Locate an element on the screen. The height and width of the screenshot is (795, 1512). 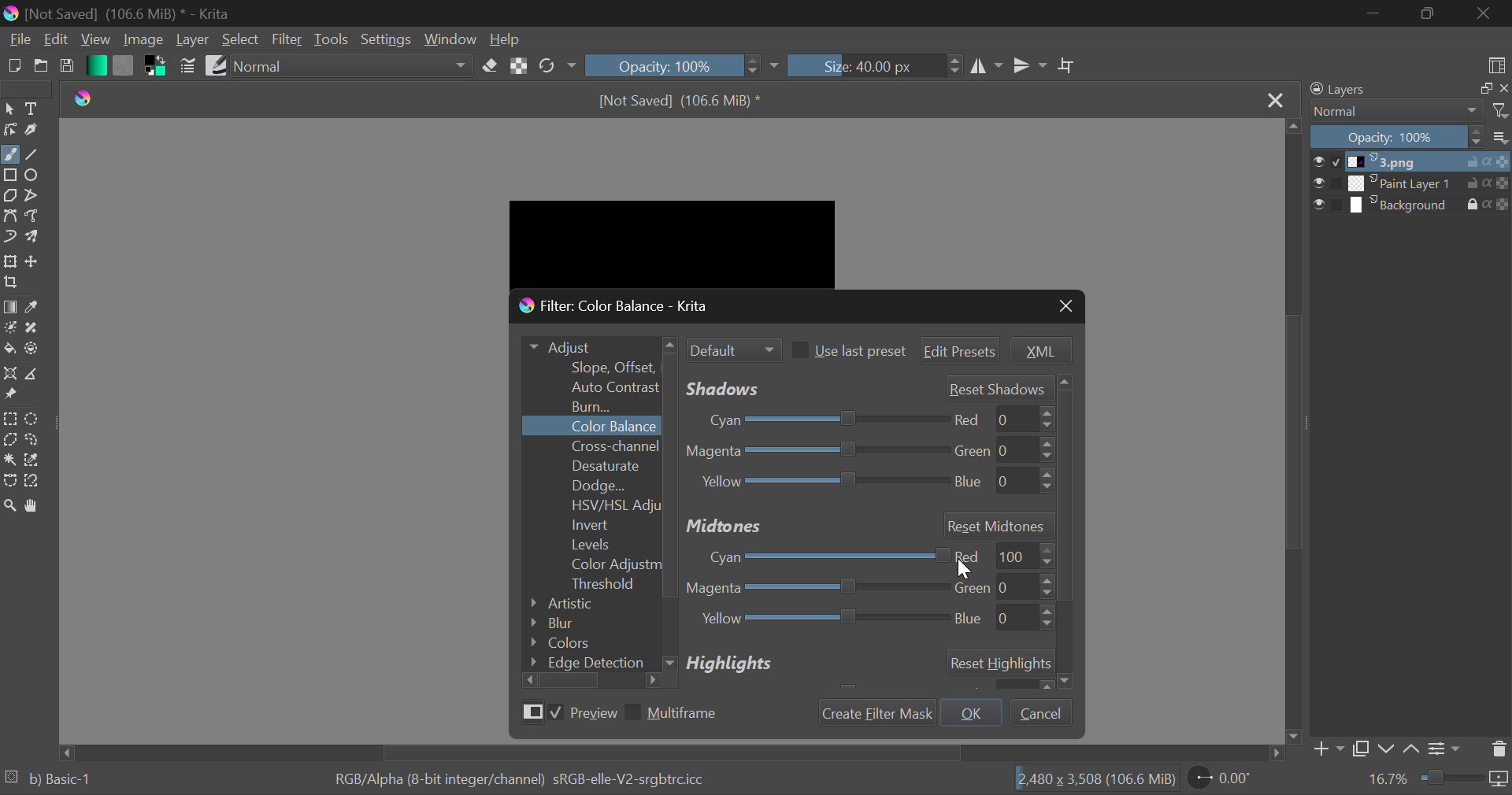
move right is located at coordinates (1284, 755).